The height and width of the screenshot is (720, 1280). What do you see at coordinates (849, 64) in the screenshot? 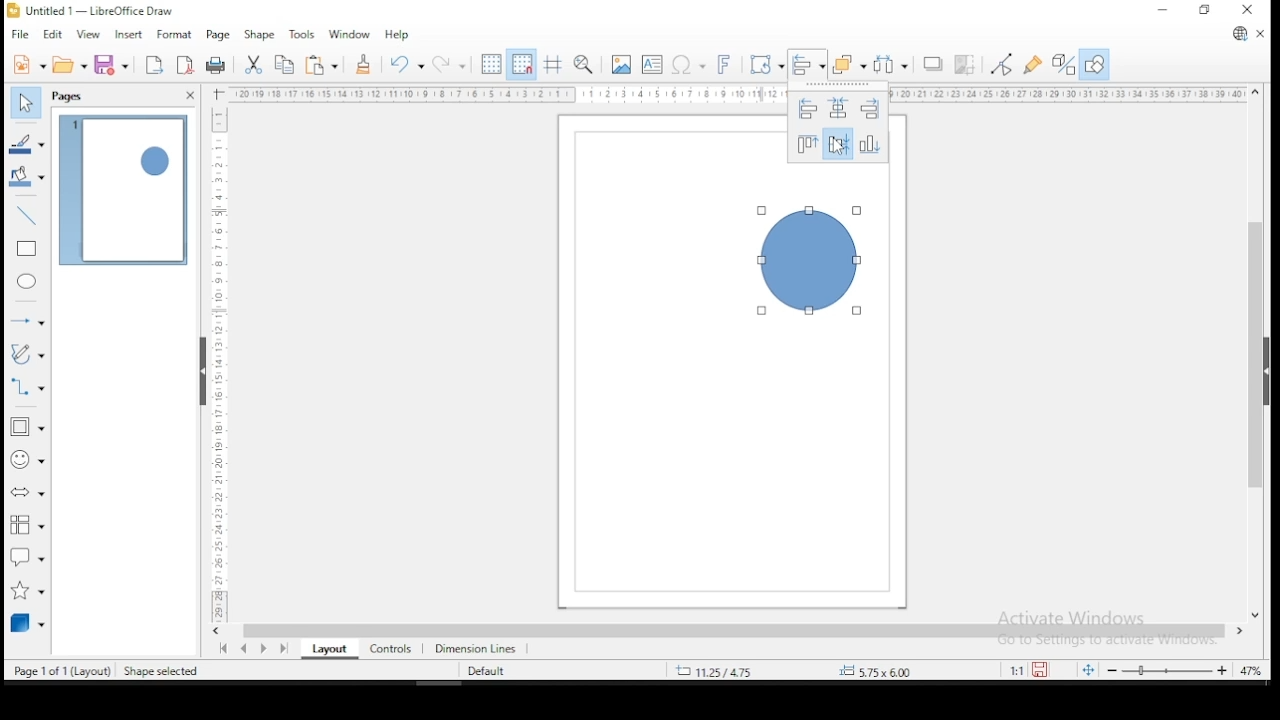
I see `arrange` at bounding box center [849, 64].